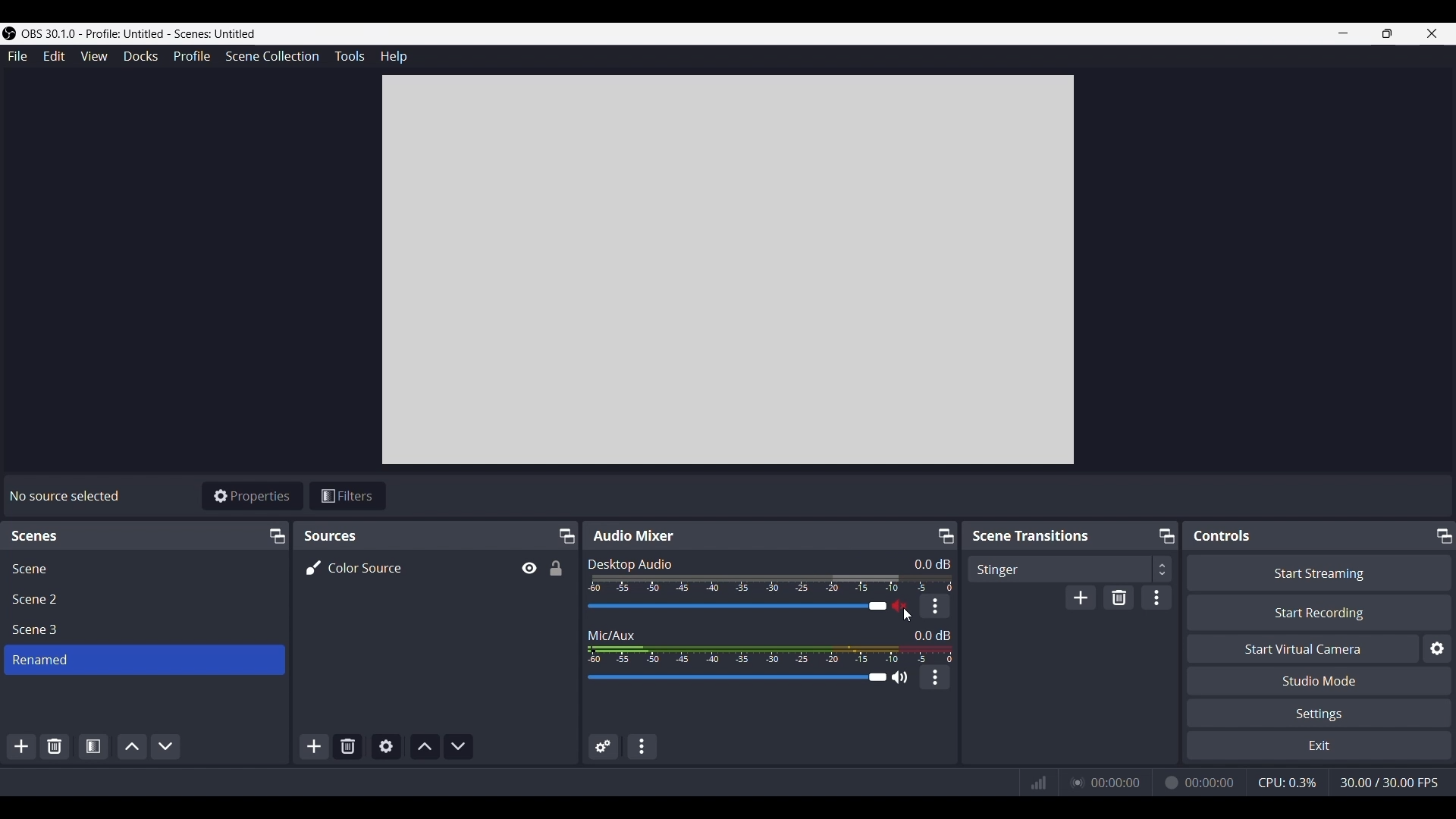  What do you see at coordinates (566, 536) in the screenshot?
I see `Float Sources panel` at bounding box center [566, 536].